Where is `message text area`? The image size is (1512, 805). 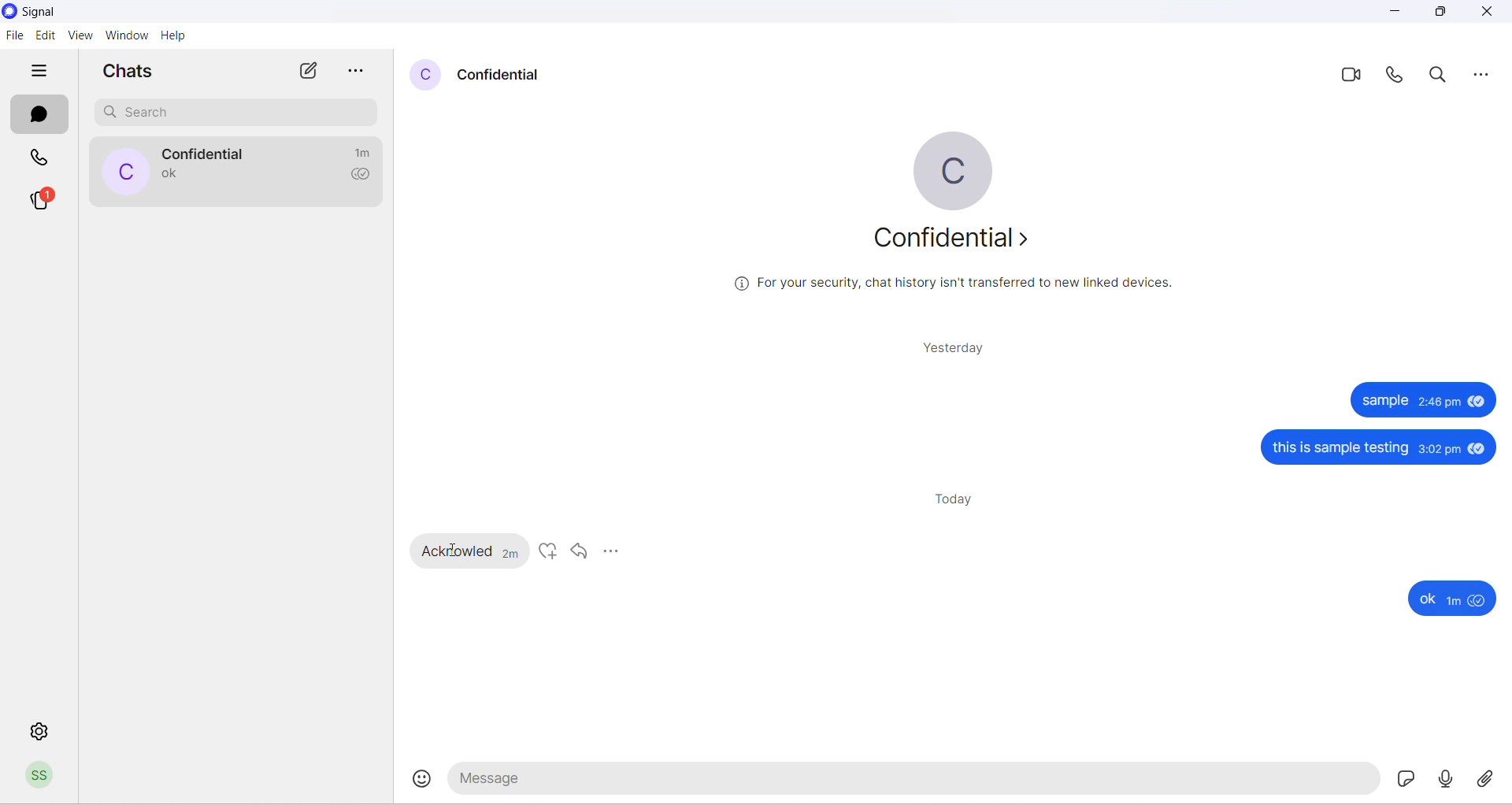
message text area is located at coordinates (913, 781).